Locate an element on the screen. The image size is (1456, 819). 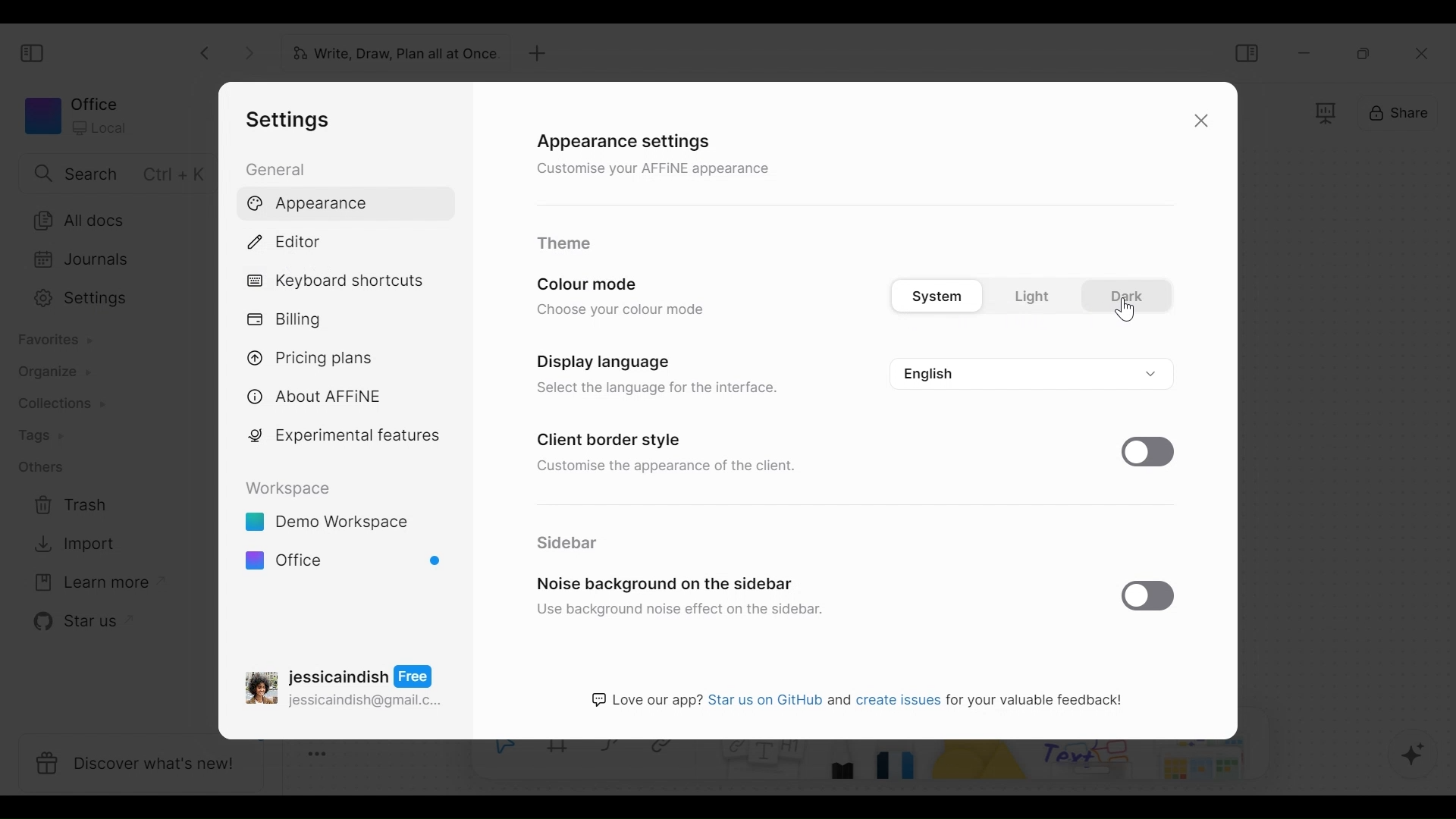
Organize is located at coordinates (53, 373).